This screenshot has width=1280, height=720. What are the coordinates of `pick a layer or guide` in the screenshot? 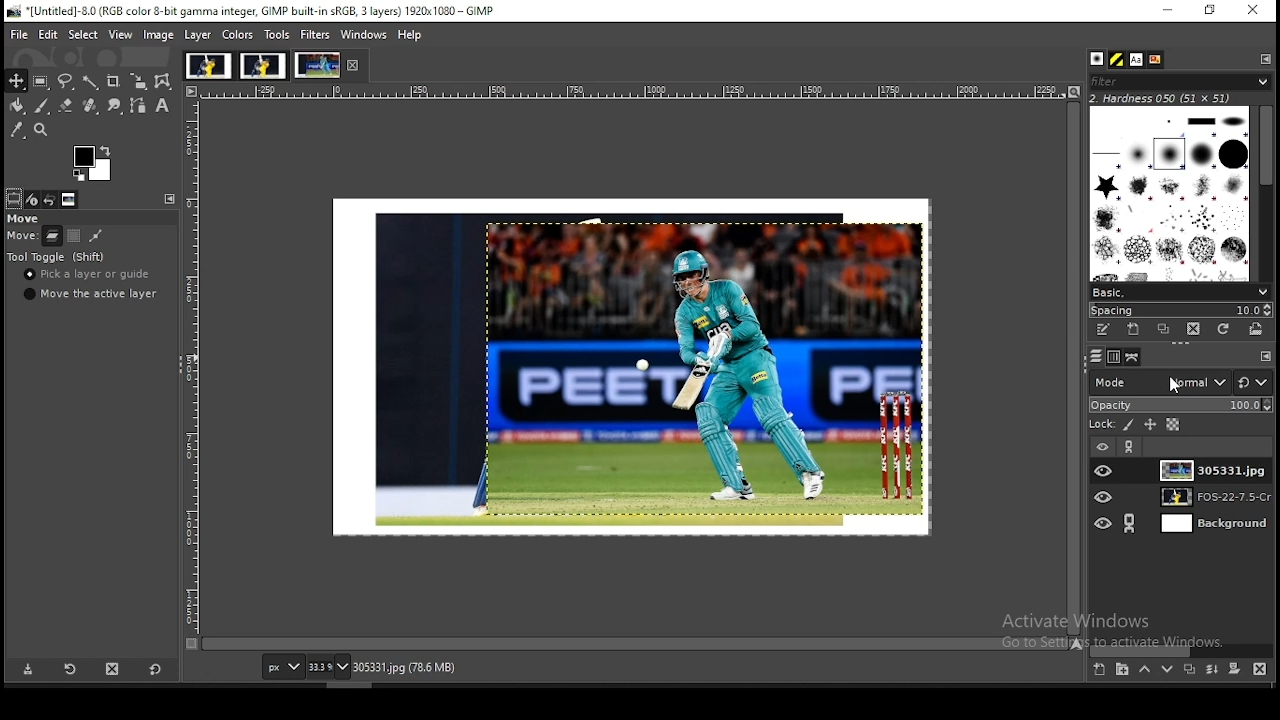 It's located at (90, 274).